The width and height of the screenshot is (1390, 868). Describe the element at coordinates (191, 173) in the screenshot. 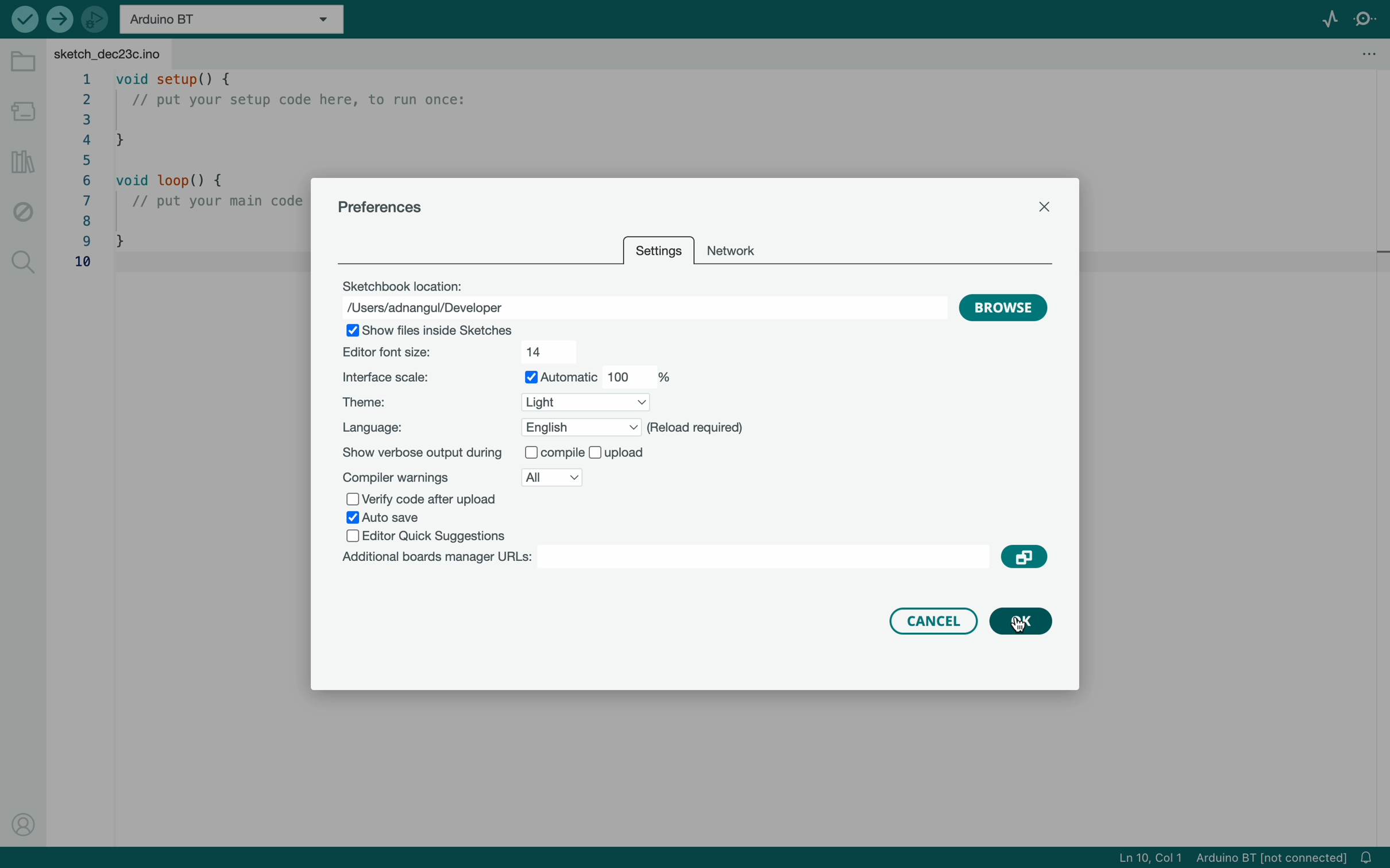

I see `code` at that location.